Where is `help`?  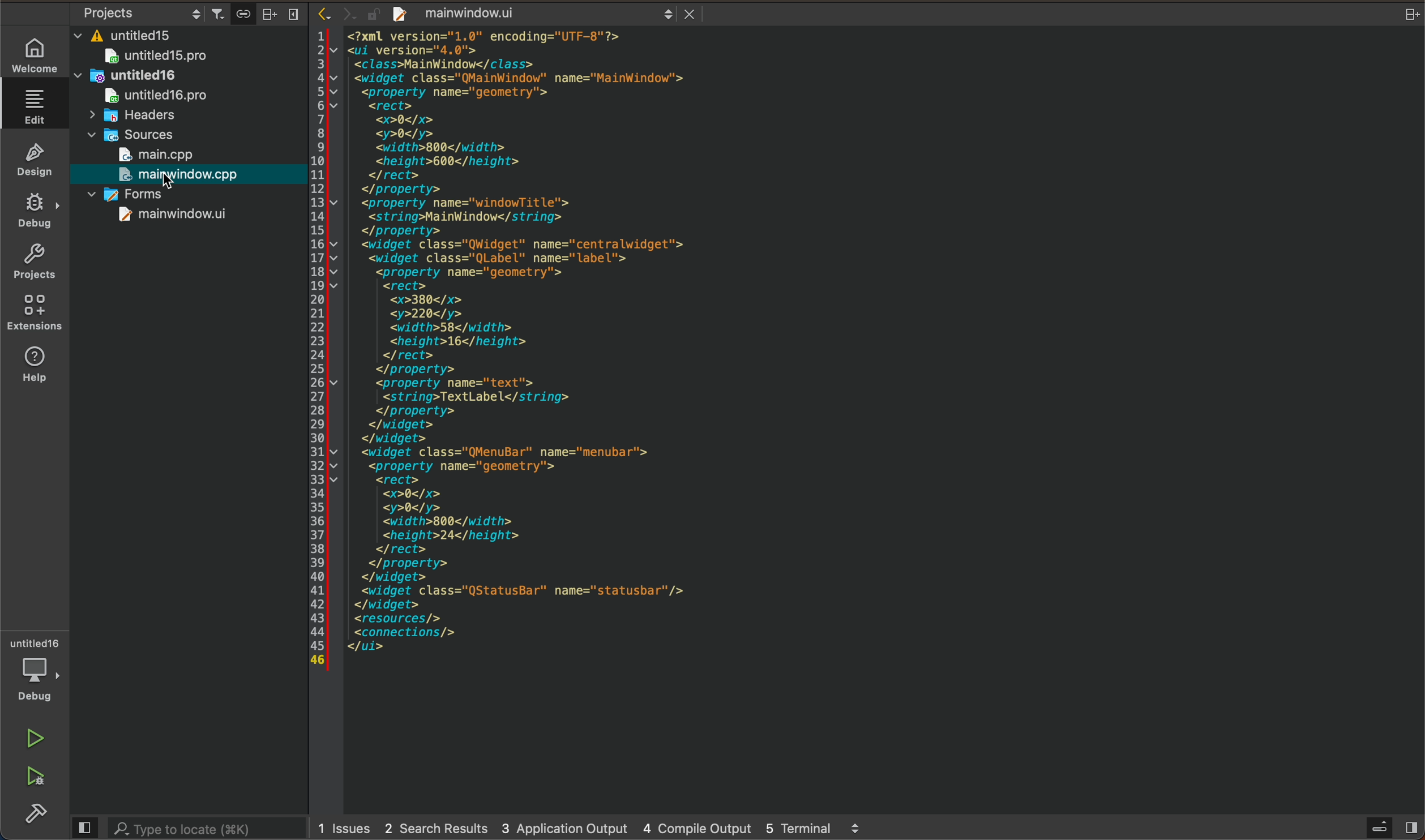
help is located at coordinates (37, 364).